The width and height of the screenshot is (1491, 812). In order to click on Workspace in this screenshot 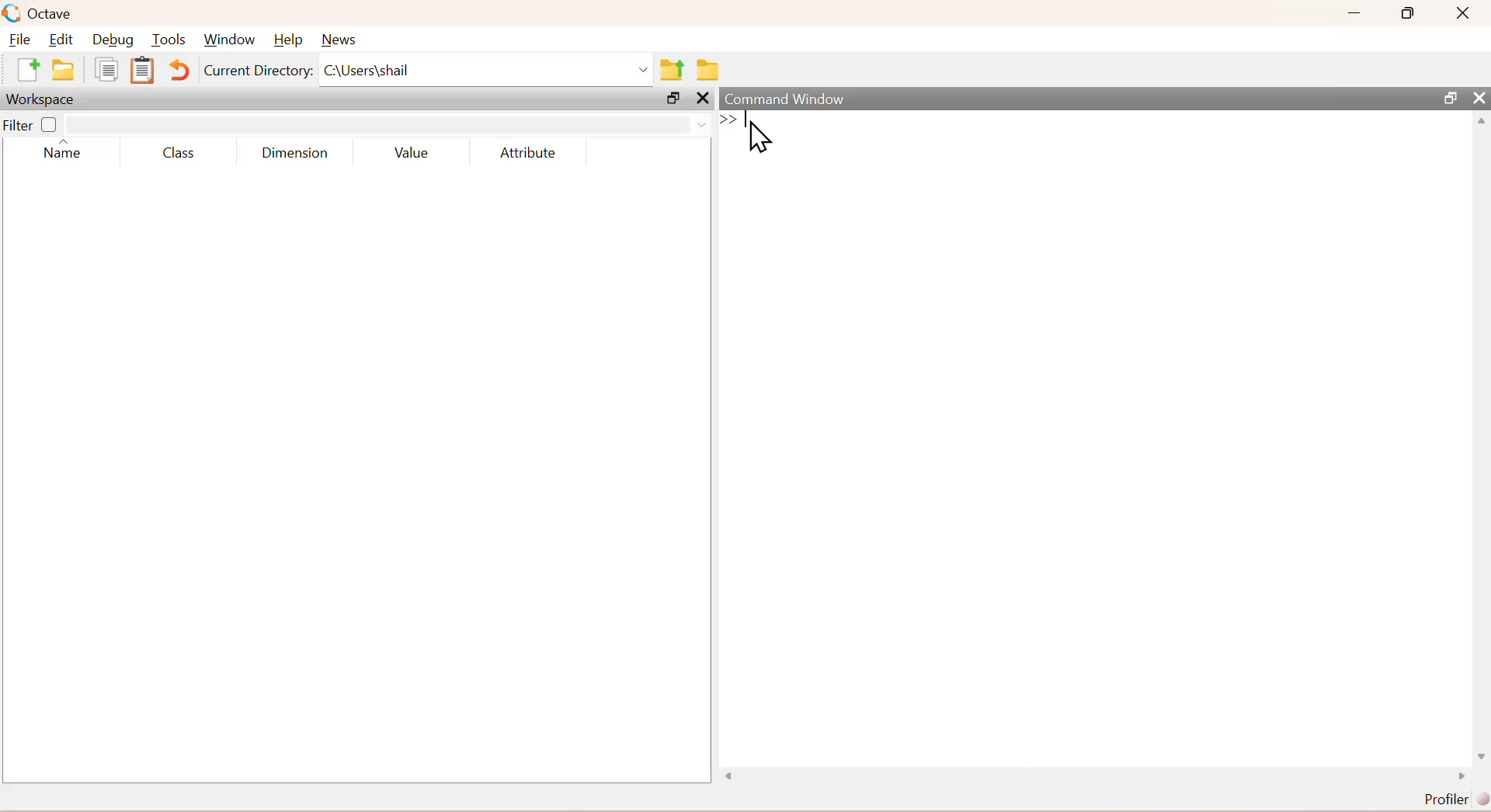, I will do `click(42, 101)`.